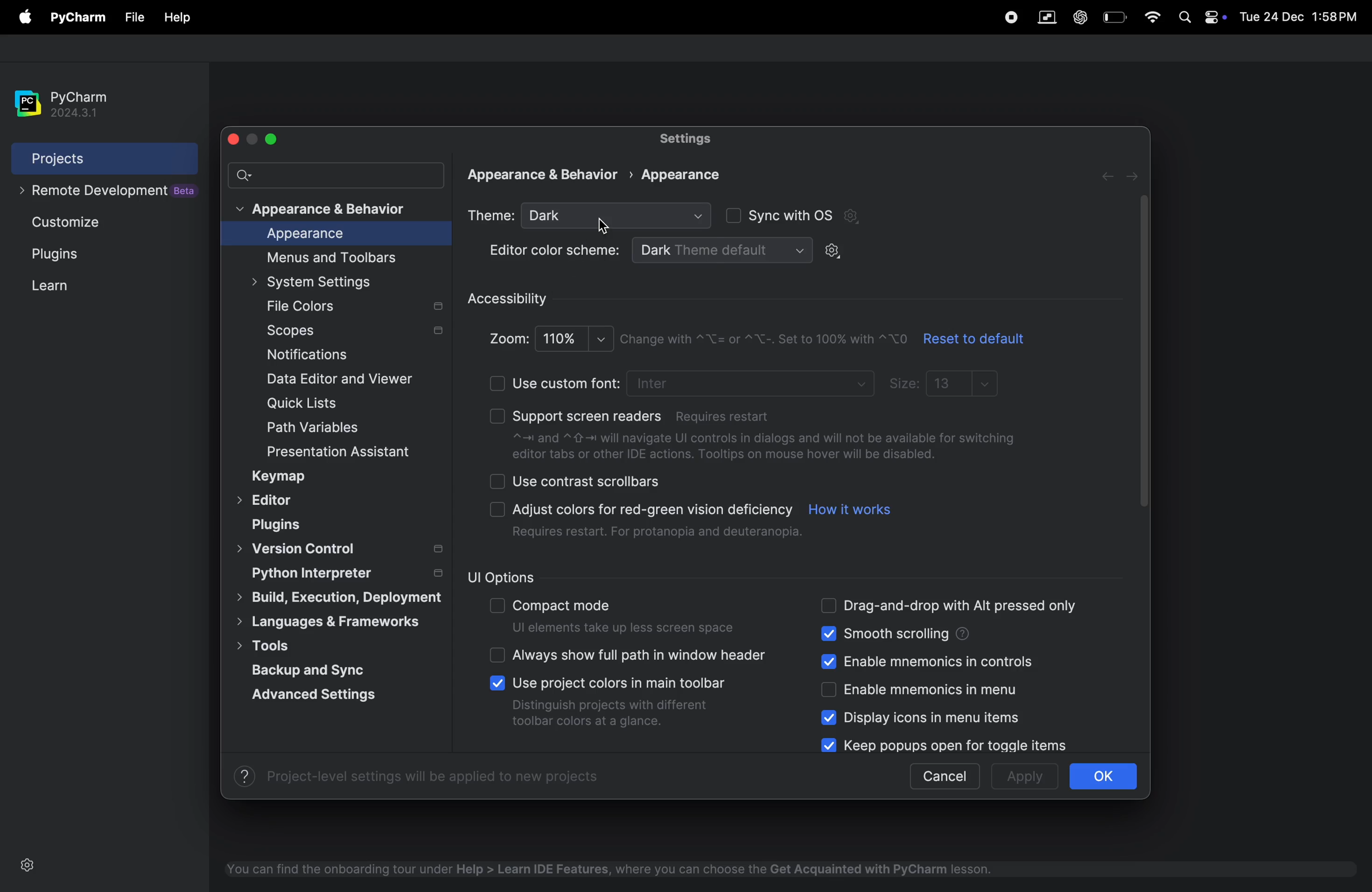 The height and width of the screenshot is (892, 1372). Describe the element at coordinates (497, 380) in the screenshot. I see `check boxes` at that location.